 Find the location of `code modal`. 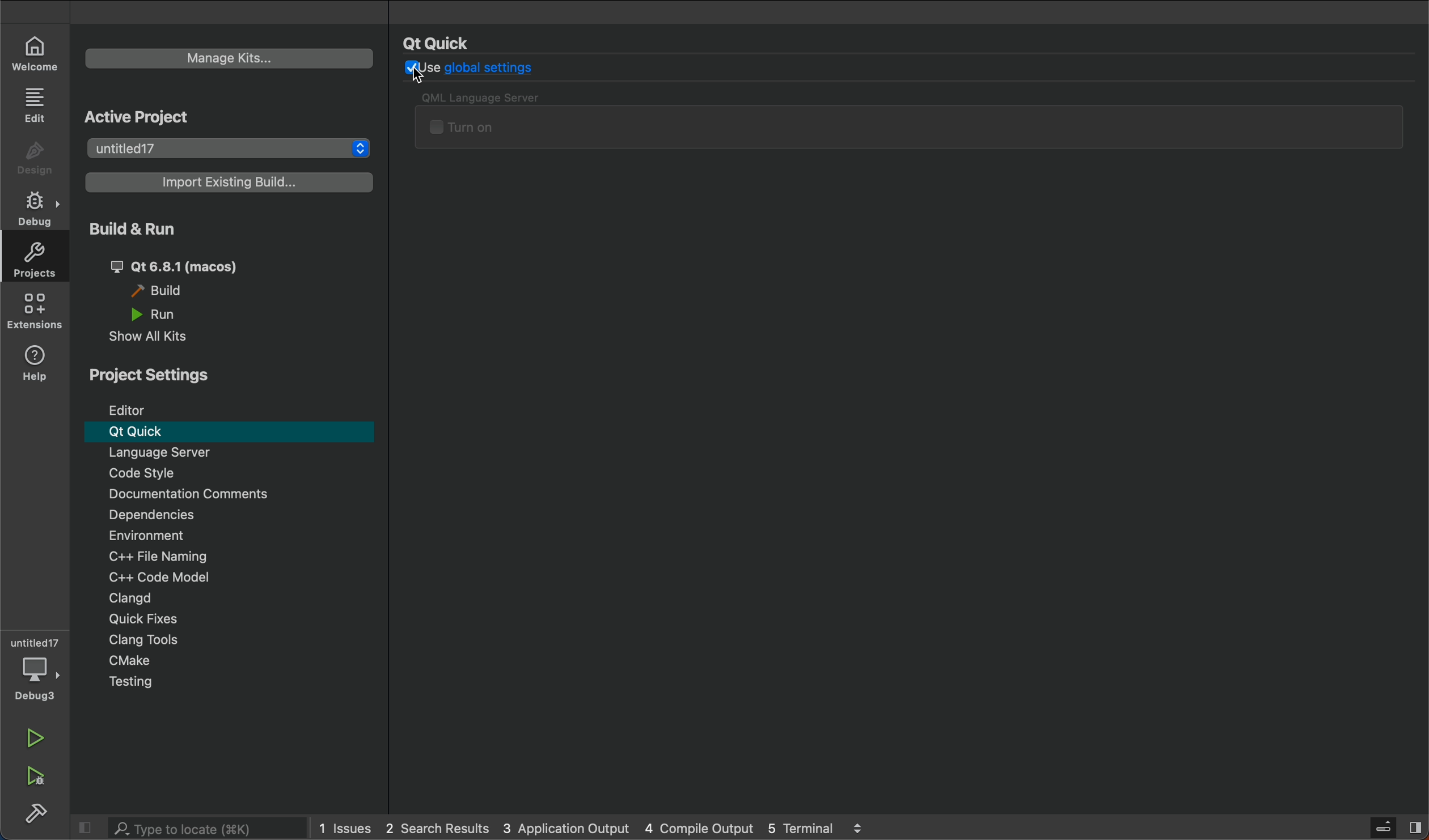

code modal is located at coordinates (236, 578).